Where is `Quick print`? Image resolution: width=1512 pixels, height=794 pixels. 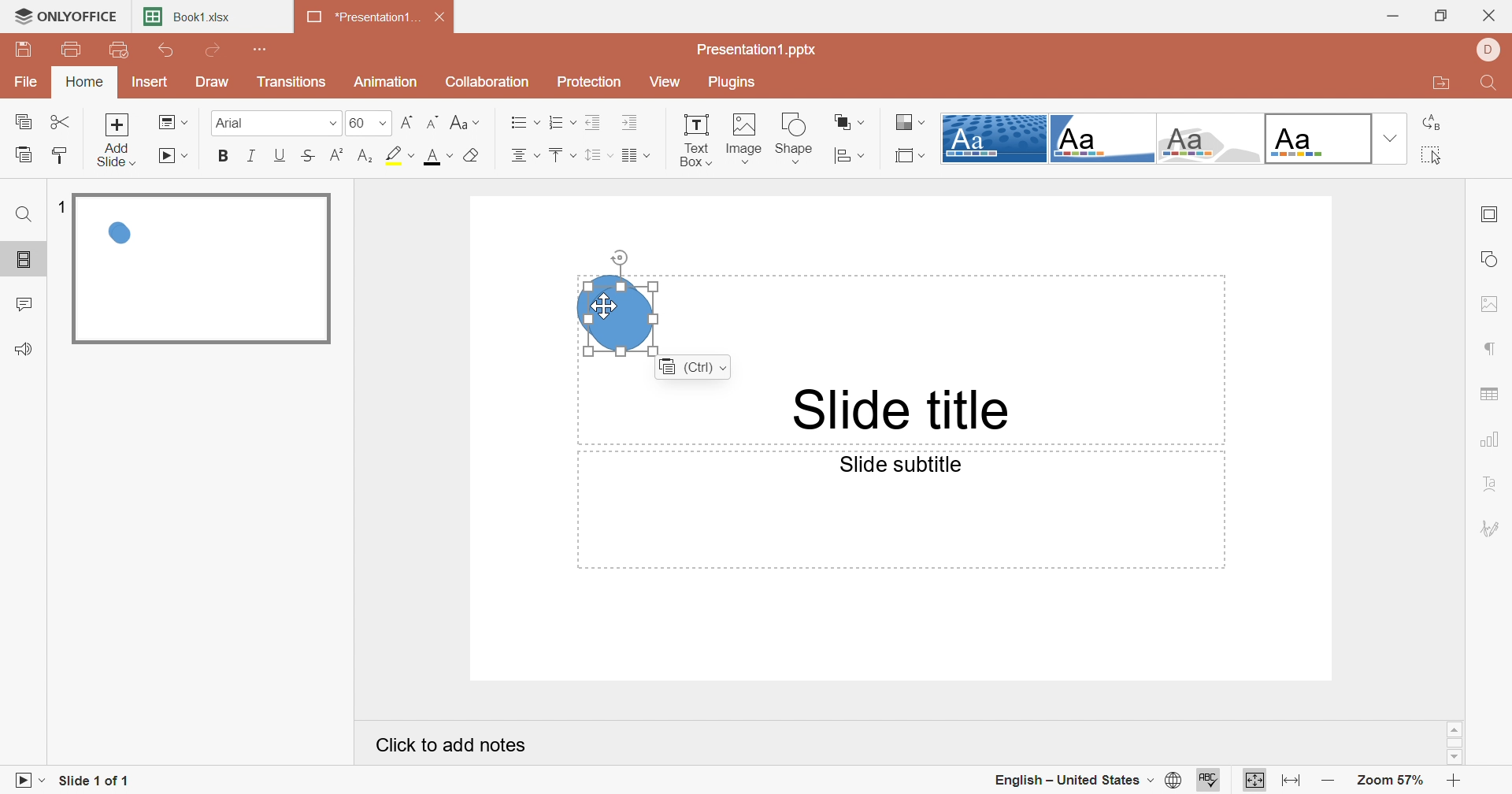
Quick print is located at coordinates (118, 50).